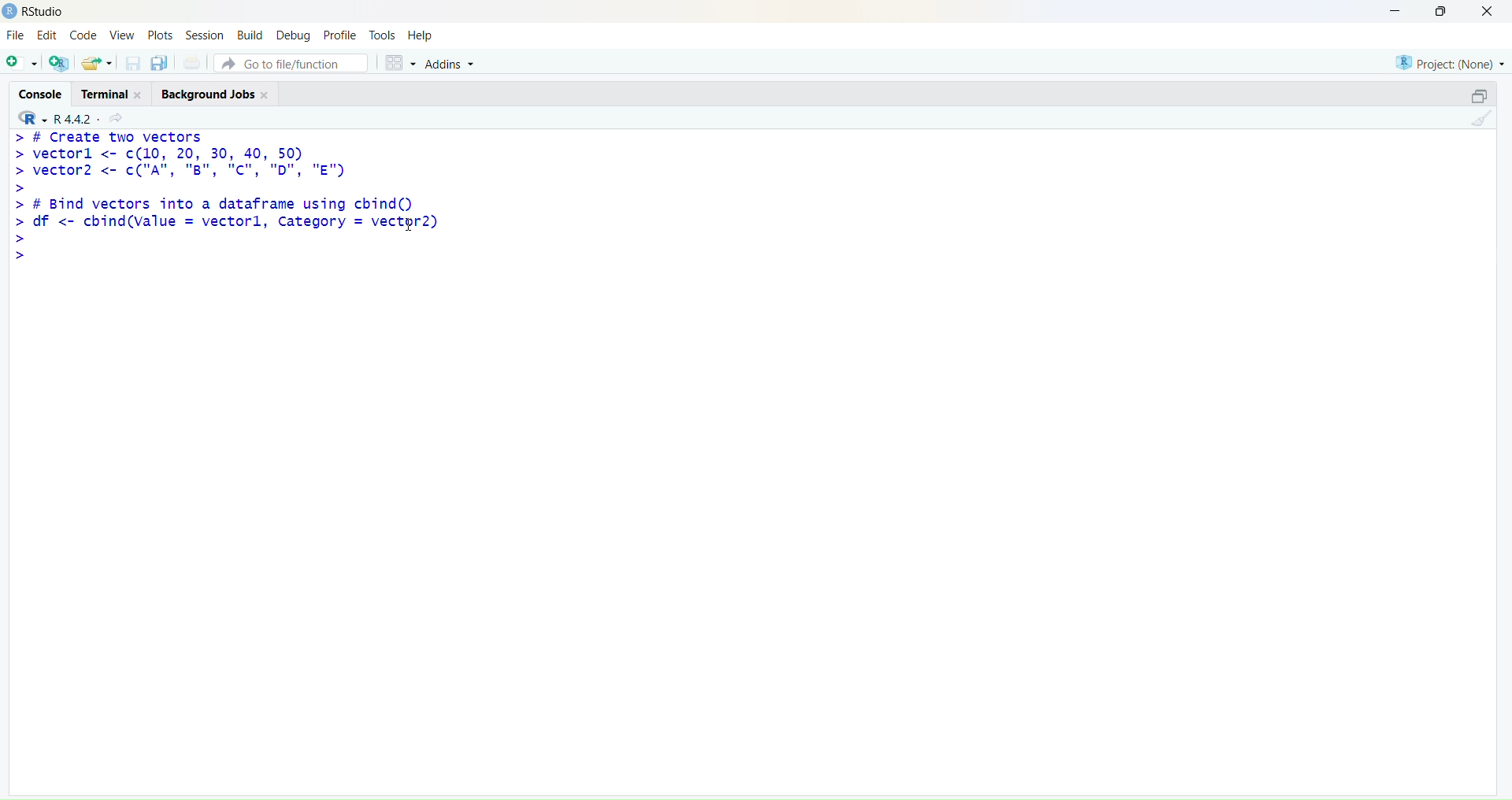  Describe the element at coordinates (160, 35) in the screenshot. I see `Plots` at that location.